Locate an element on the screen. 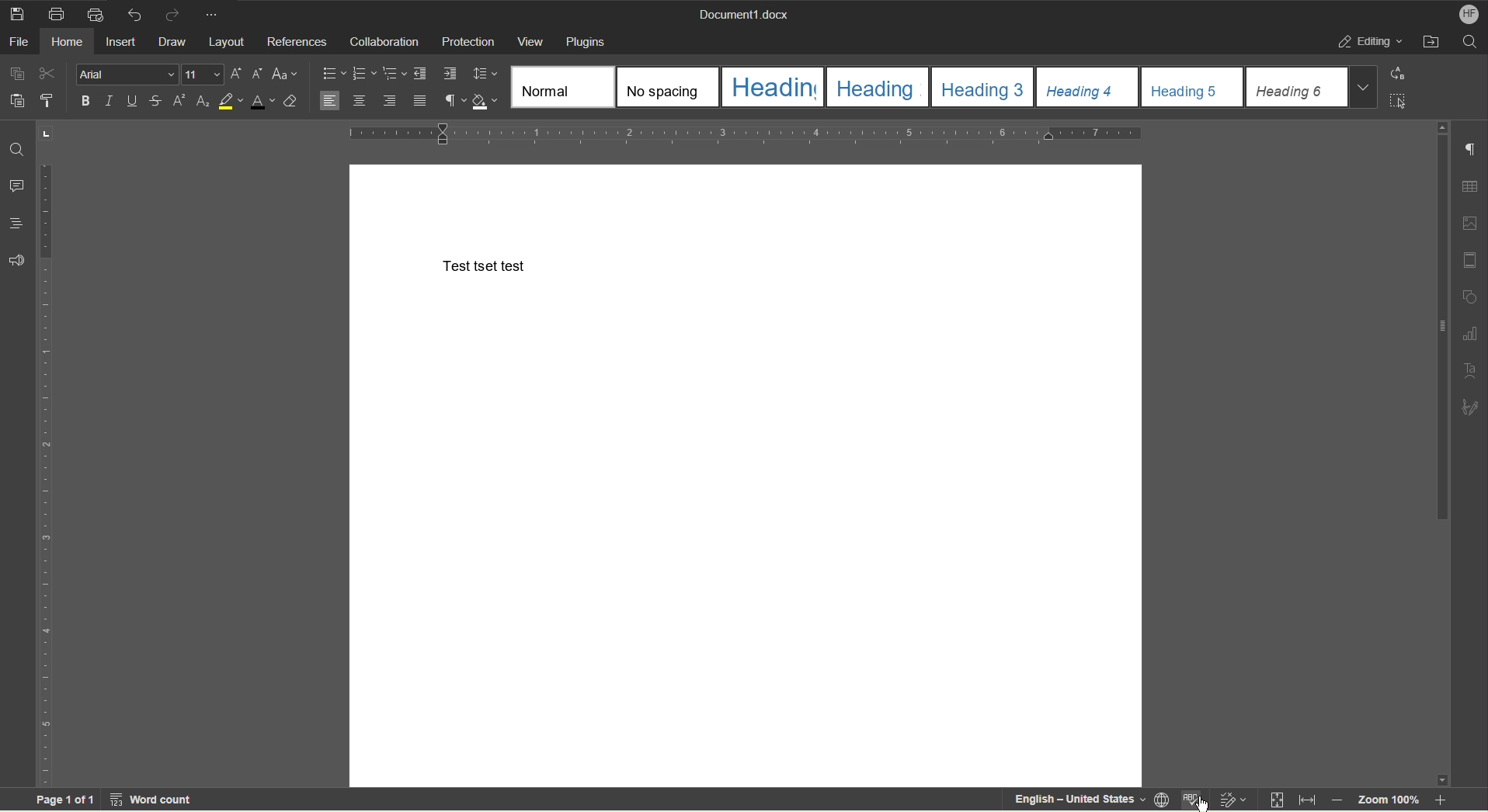 This screenshot has width=1488, height=812. Search is located at coordinates (1469, 40).